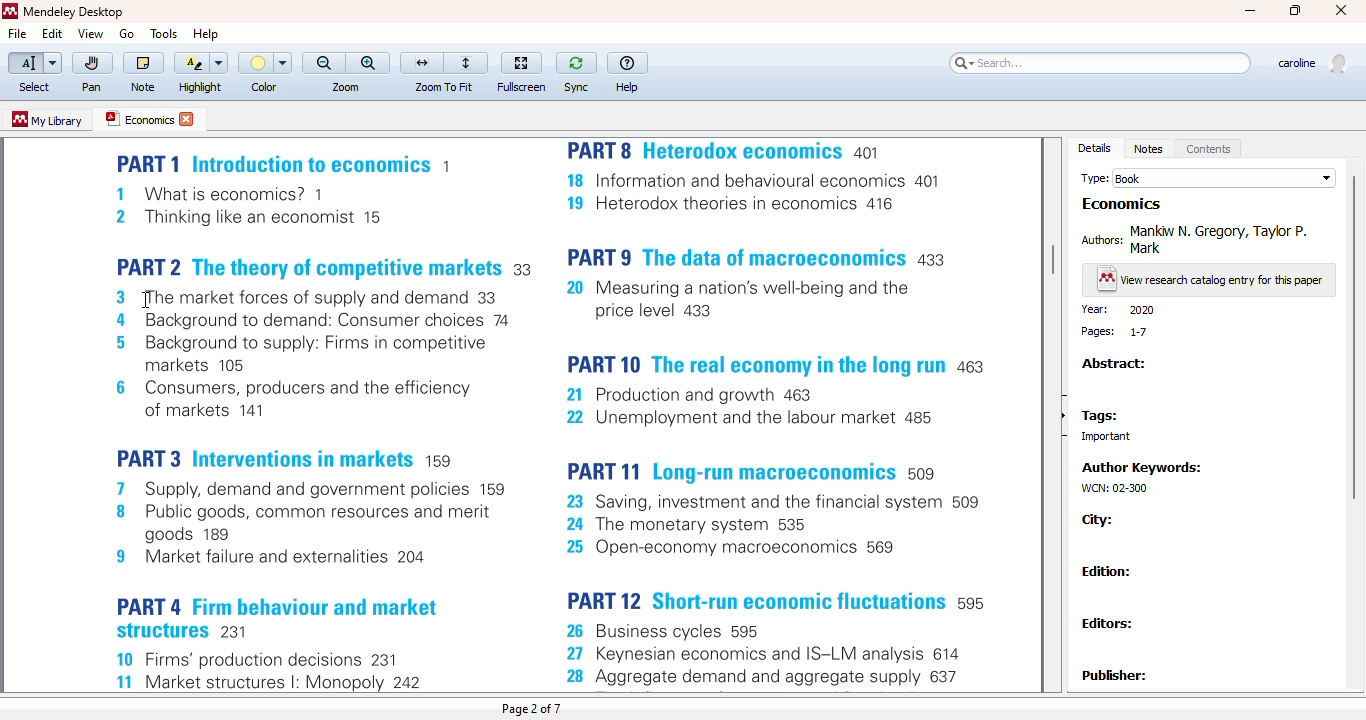 The image size is (1366, 720). I want to click on pan, so click(91, 87).